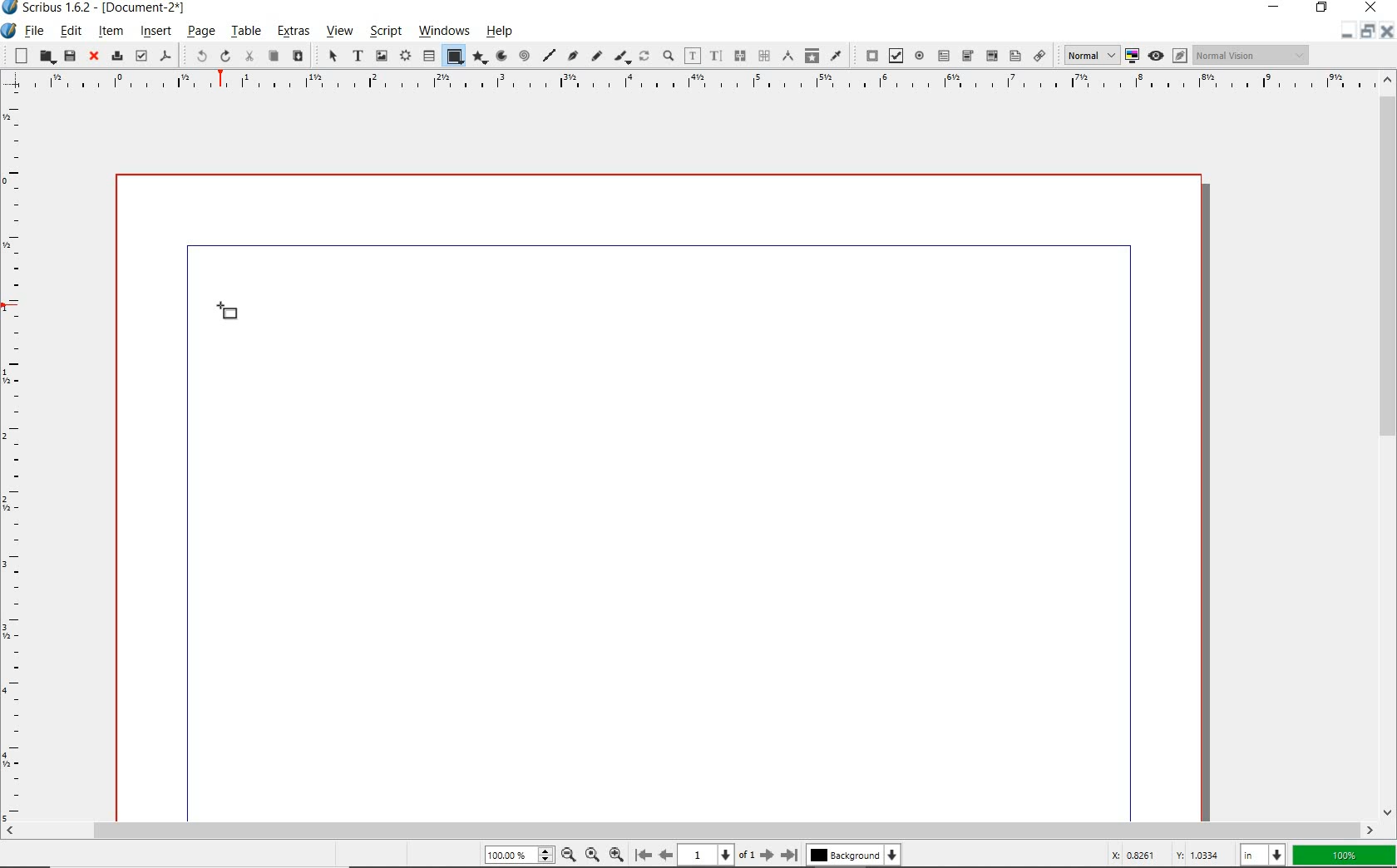  I want to click on zoom out, so click(616, 853).